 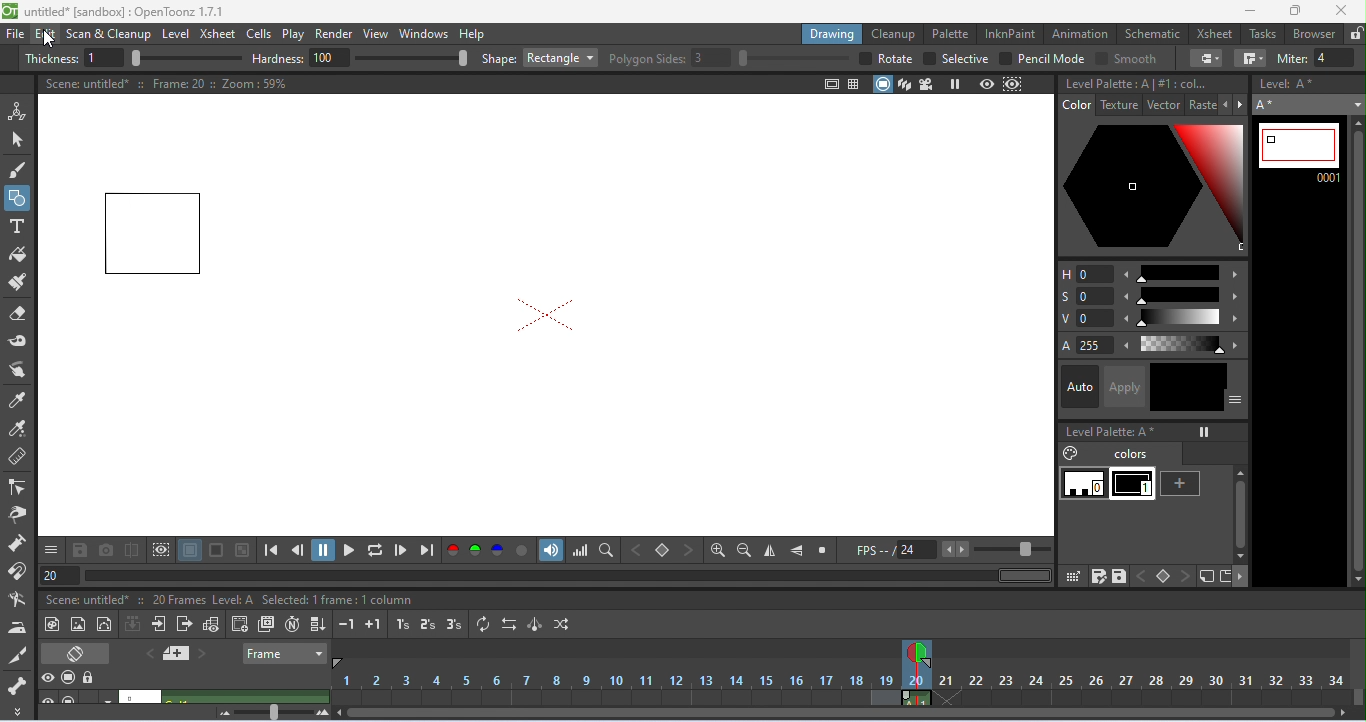 What do you see at coordinates (1098, 578) in the screenshot?
I see `save palette as` at bounding box center [1098, 578].